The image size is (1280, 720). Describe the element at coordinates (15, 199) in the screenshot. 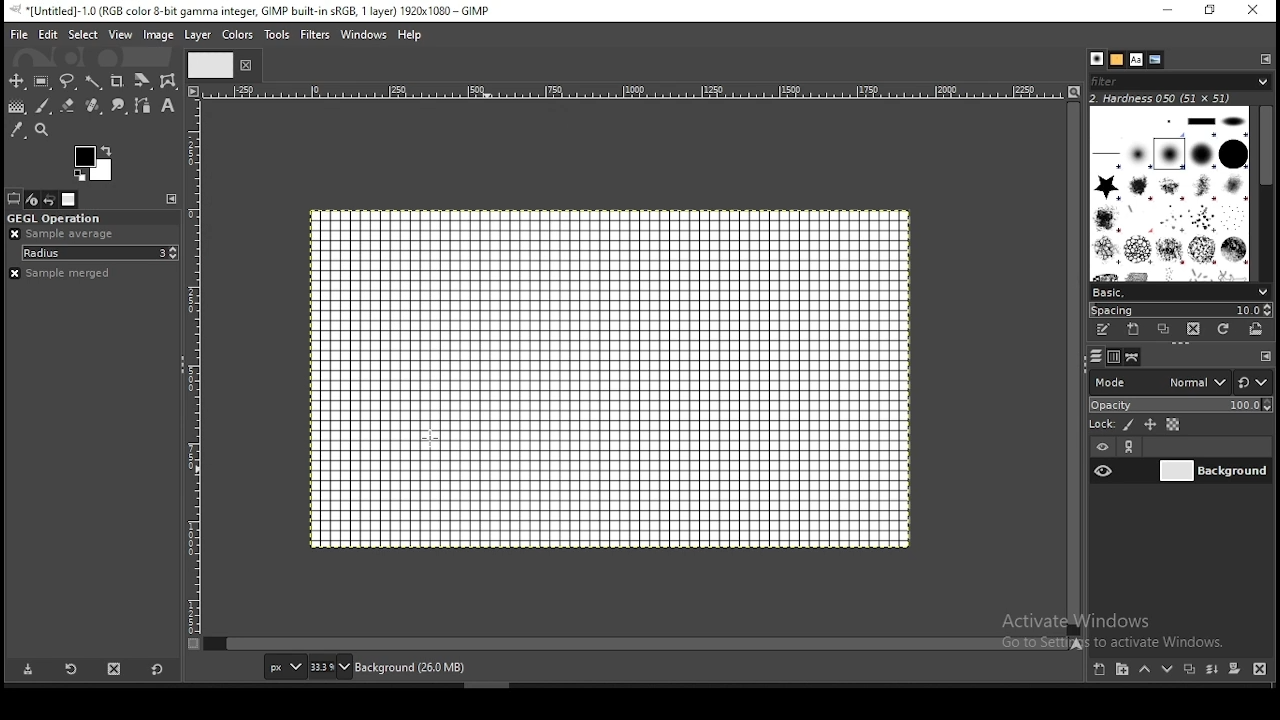

I see `tool options` at that location.